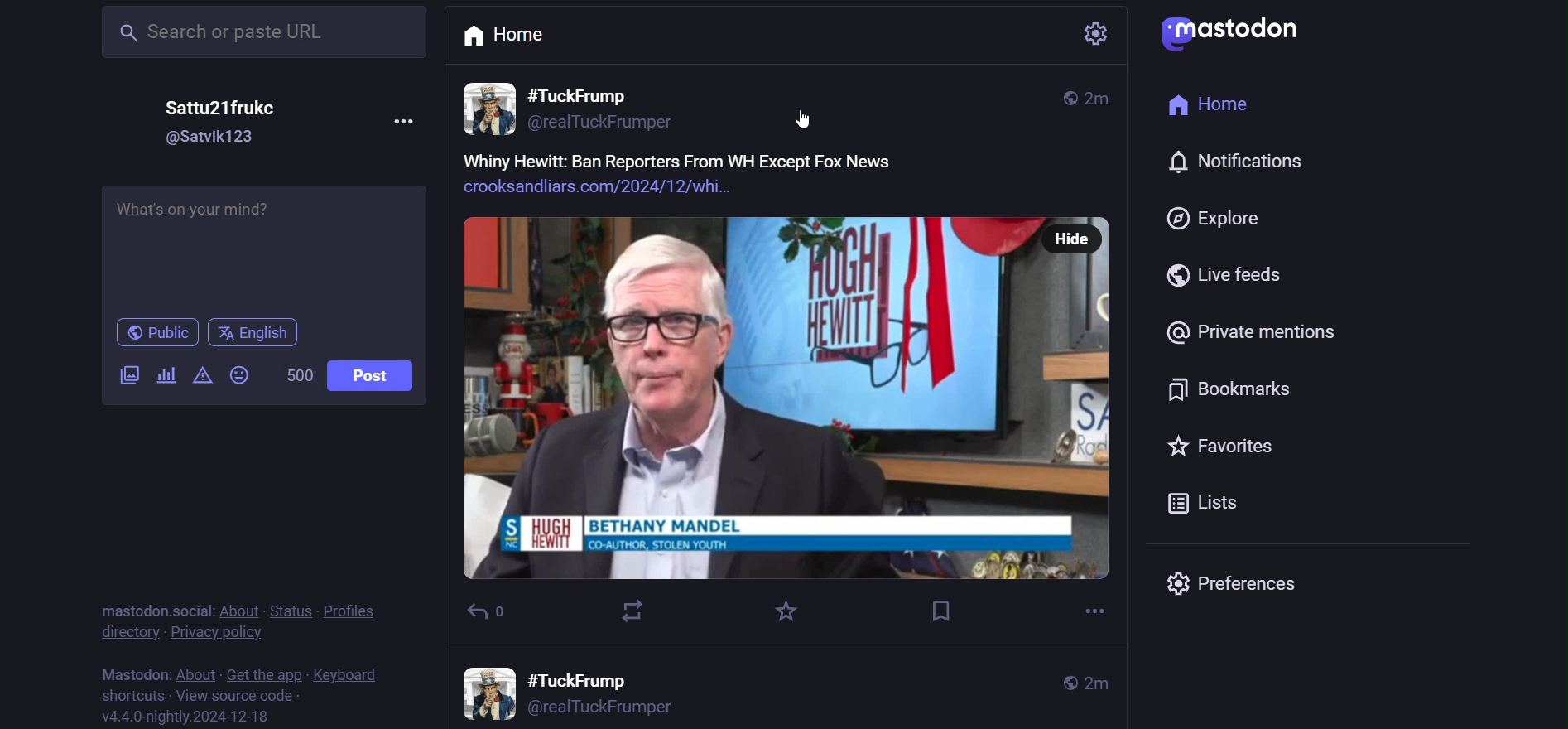 The height and width of the screenshot is (729, 1568). I want to click on name, so click(580, 94).